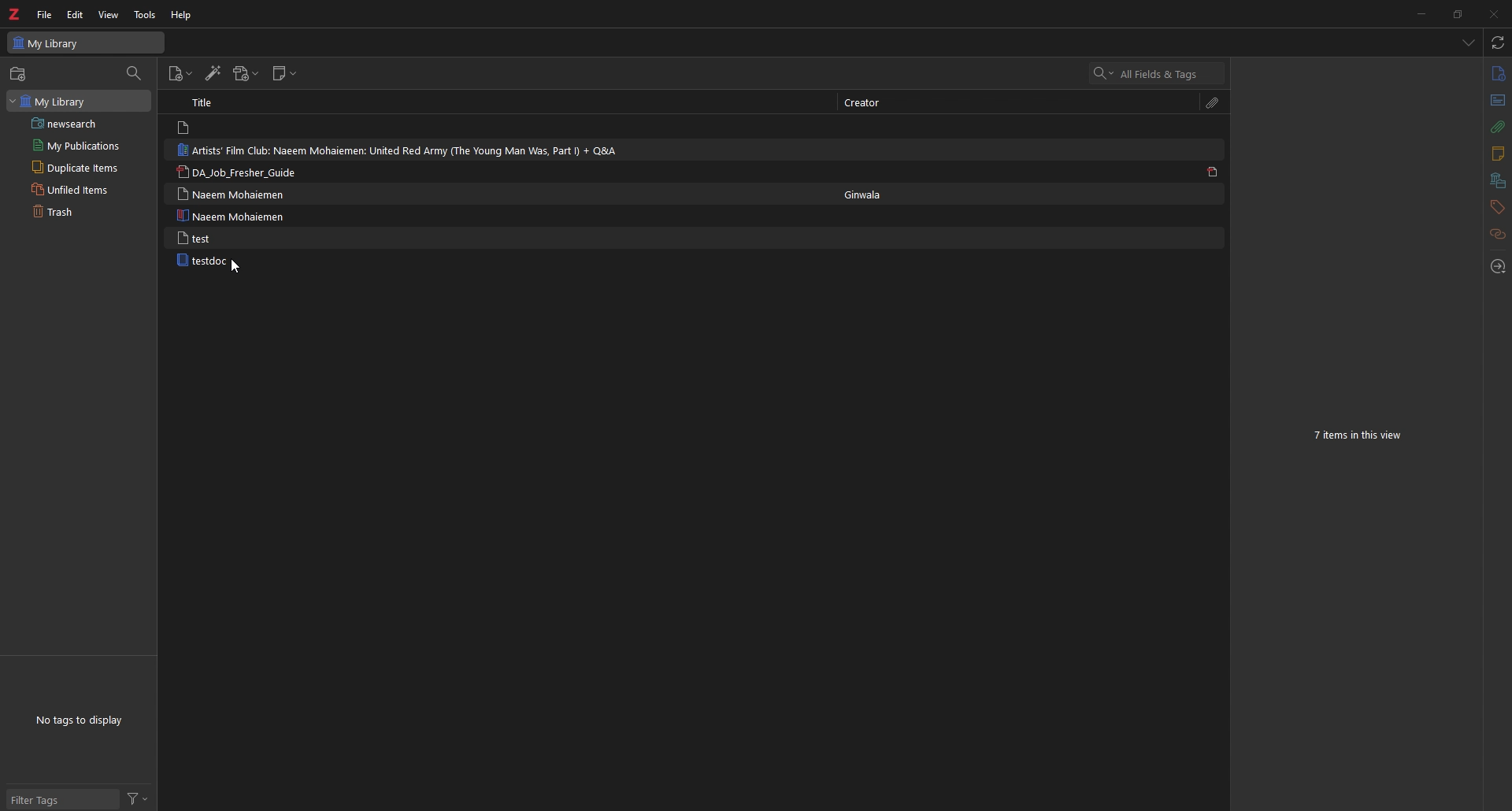 This screenshot has width=1512, height=811. I want to click on unfiled items, so click(74, 189).